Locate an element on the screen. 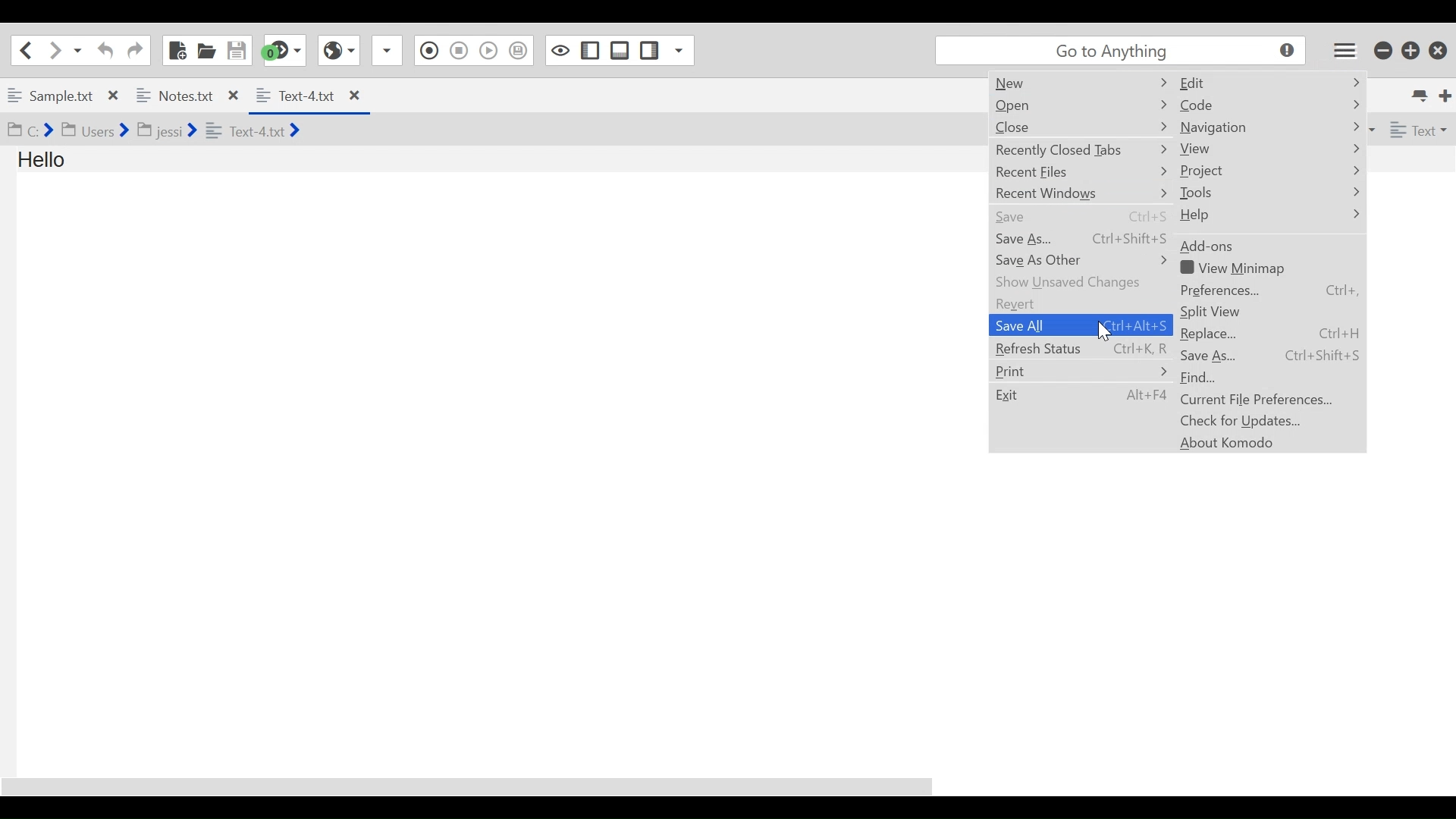 This screenshot has width=1456, height=819. Help is located at coordinates (1272, 216).